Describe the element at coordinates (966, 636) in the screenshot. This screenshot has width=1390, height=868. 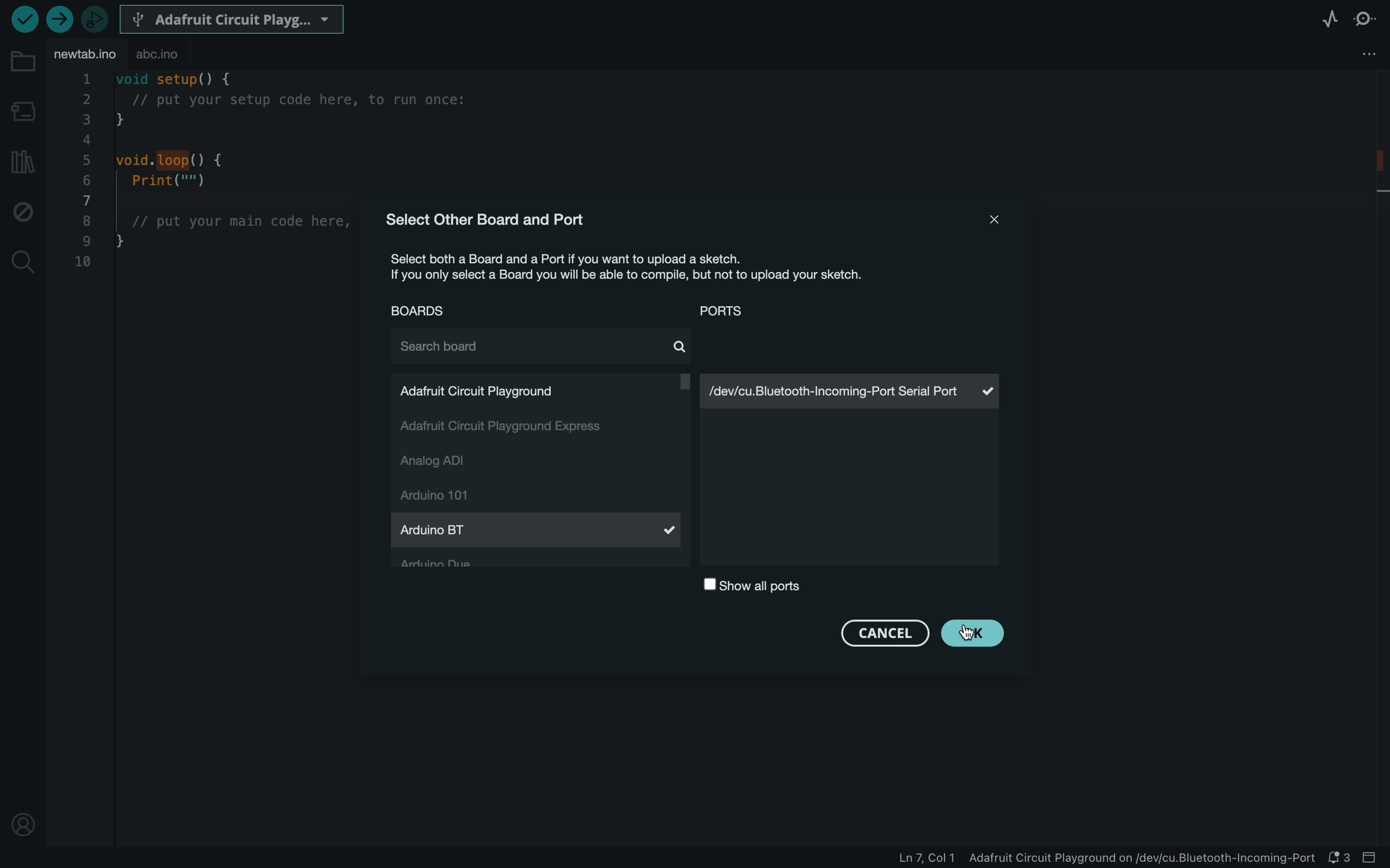
I see `cursor` at that location.